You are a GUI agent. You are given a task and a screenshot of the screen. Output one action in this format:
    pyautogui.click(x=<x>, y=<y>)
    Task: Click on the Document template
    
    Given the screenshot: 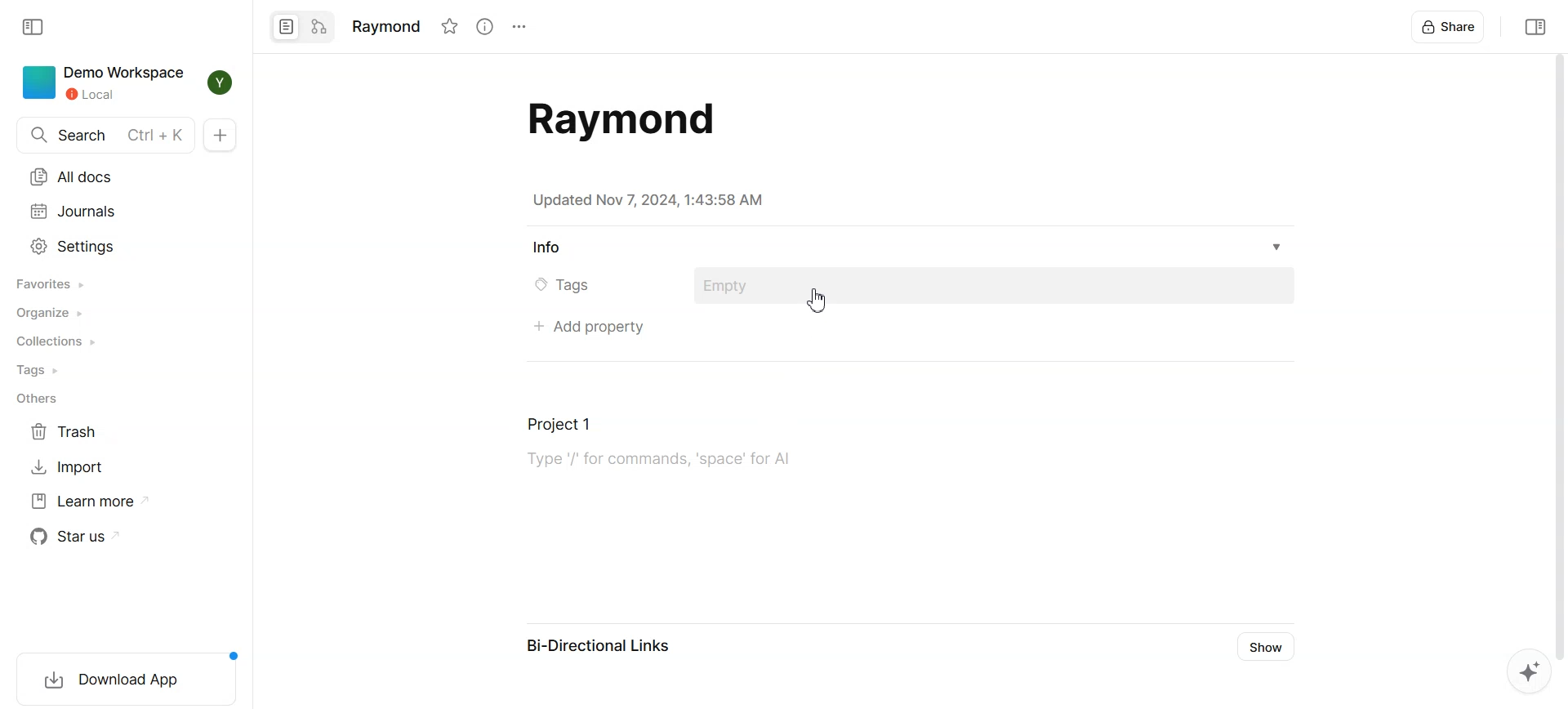 What is the action you would take?
    pyautogui.click(x=616, y=119)
    